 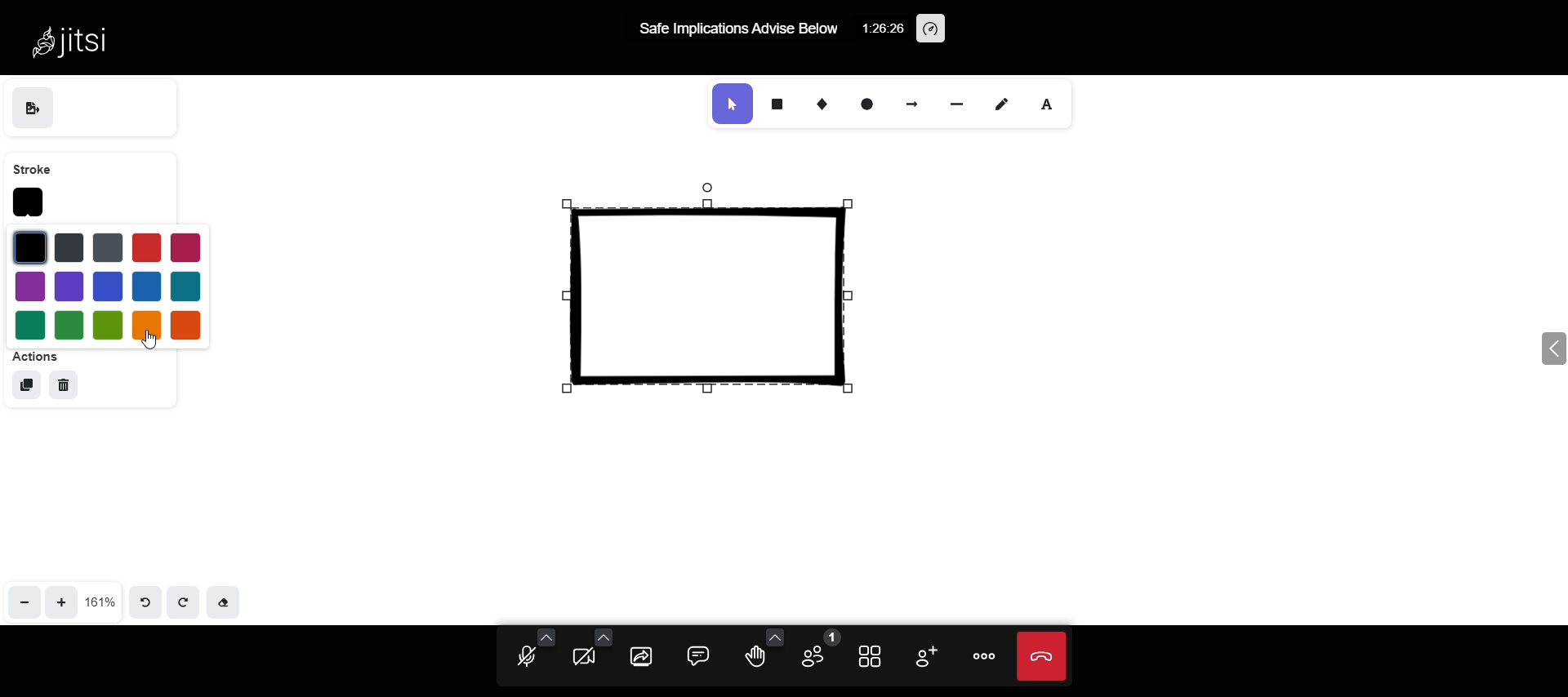 What do you see at coordinates (87, 42) in the screenshot?
I see `Jitsi` at bounding box center [87, 42].